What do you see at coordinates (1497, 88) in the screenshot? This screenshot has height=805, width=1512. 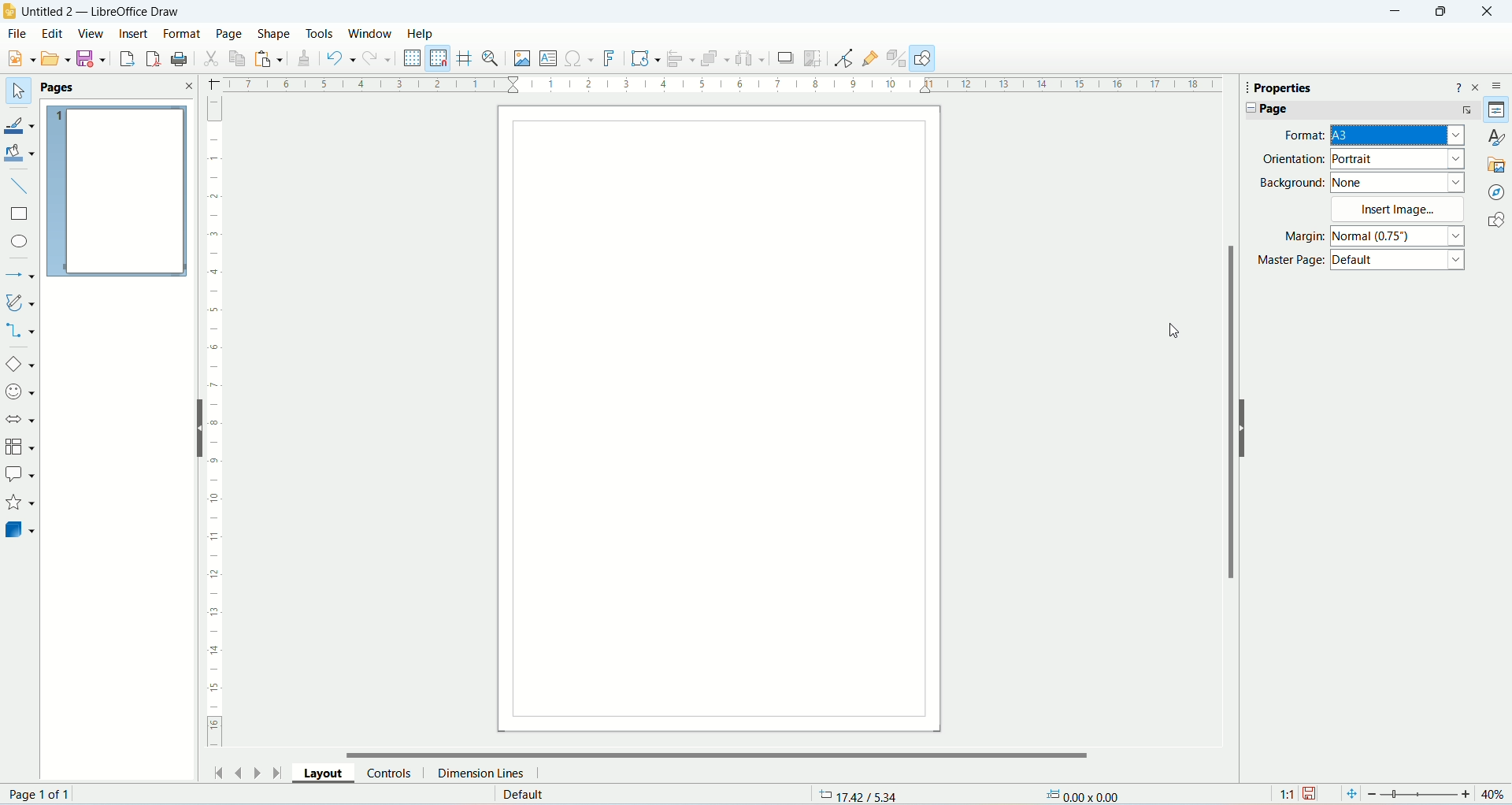 I see `sidebar settings` at bounding box center [1497, 88].